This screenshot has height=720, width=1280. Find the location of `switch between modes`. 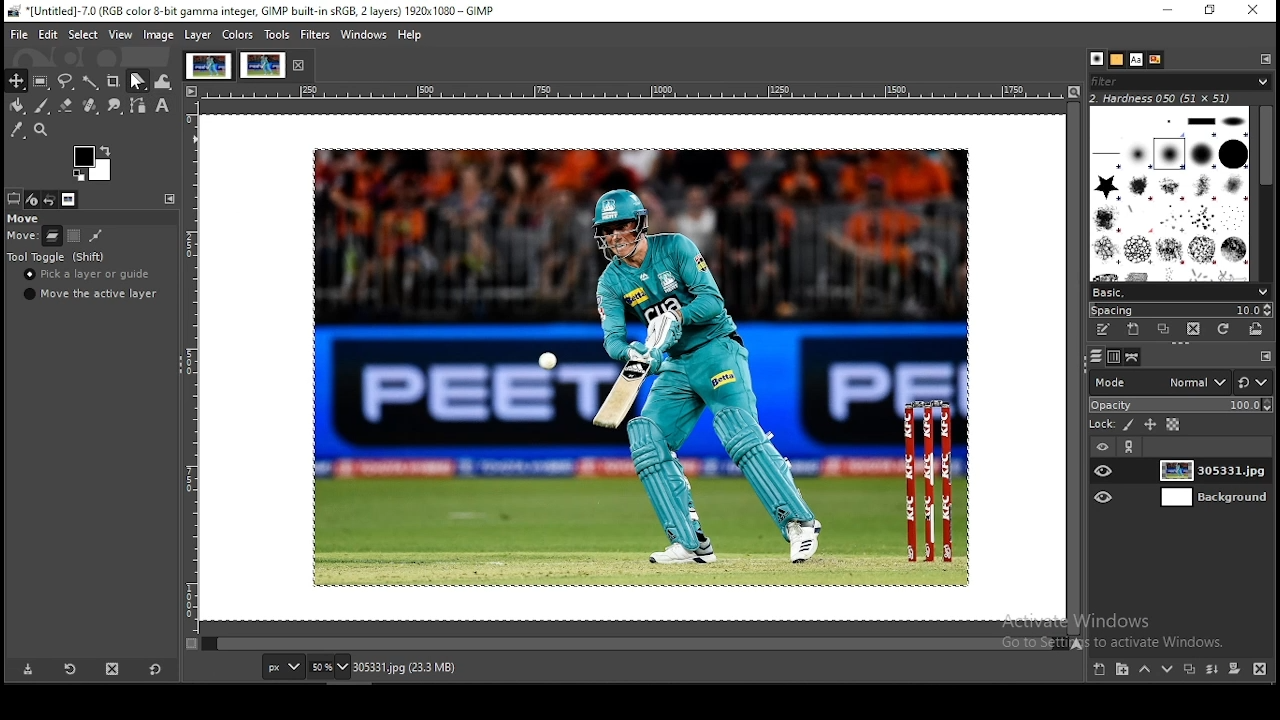

switch between modes is located at coordinates (1255, 383).